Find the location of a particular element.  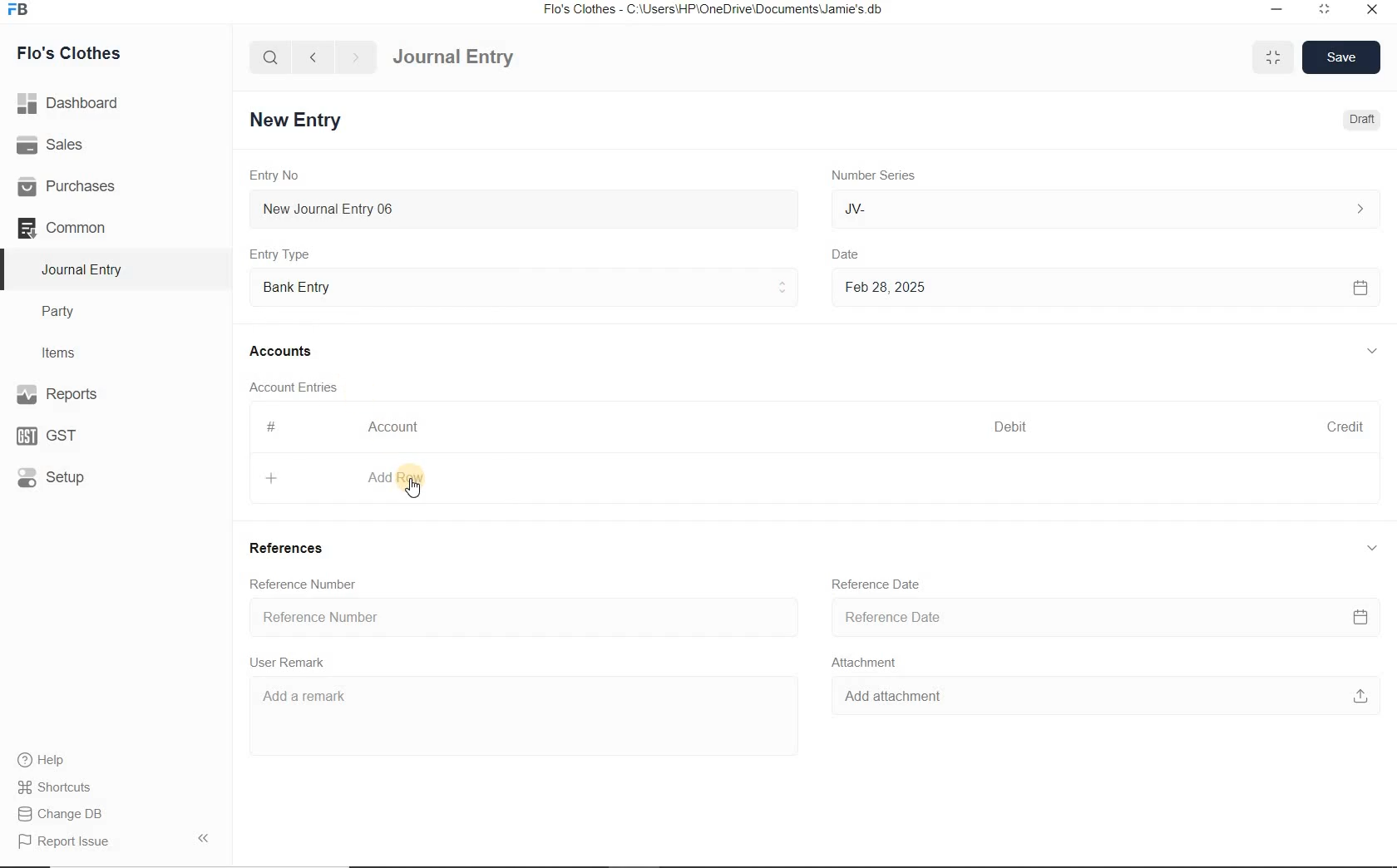

References is located at coordinates (292, 550).